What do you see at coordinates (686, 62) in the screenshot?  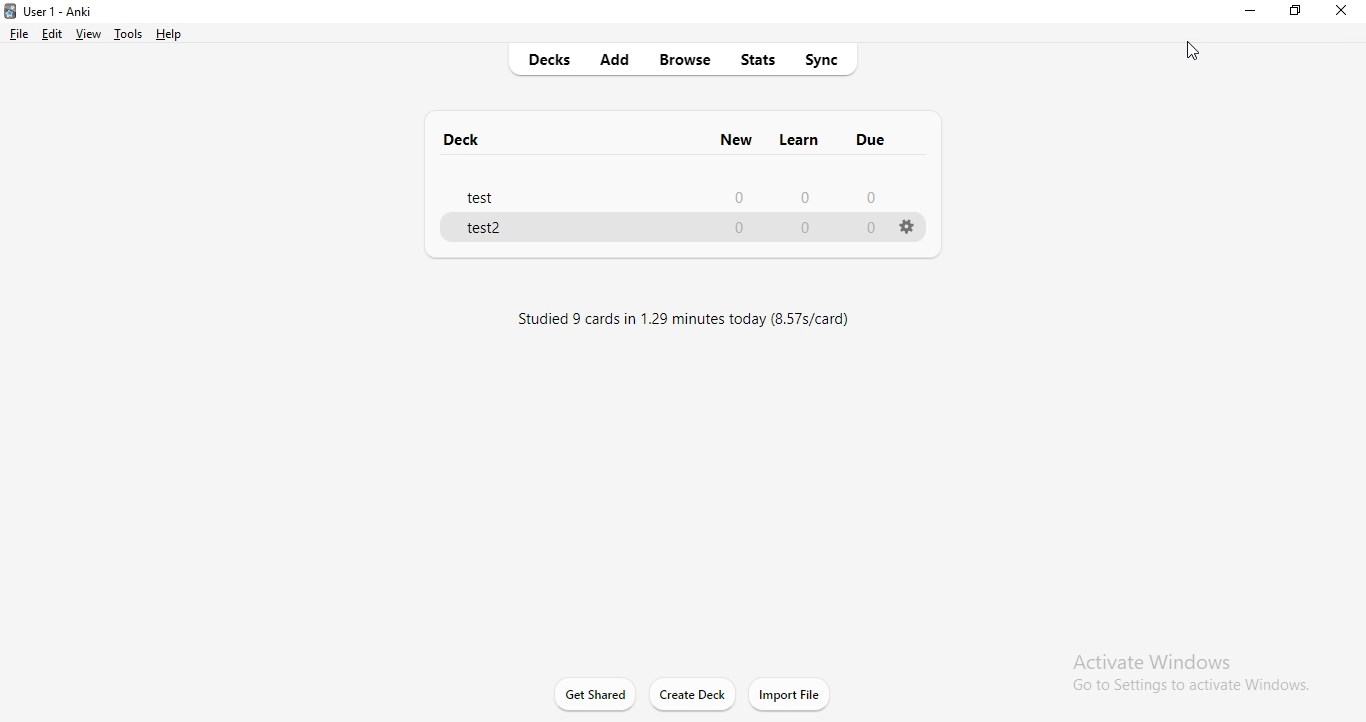 I see `browse` at bounding box center [686, 62].